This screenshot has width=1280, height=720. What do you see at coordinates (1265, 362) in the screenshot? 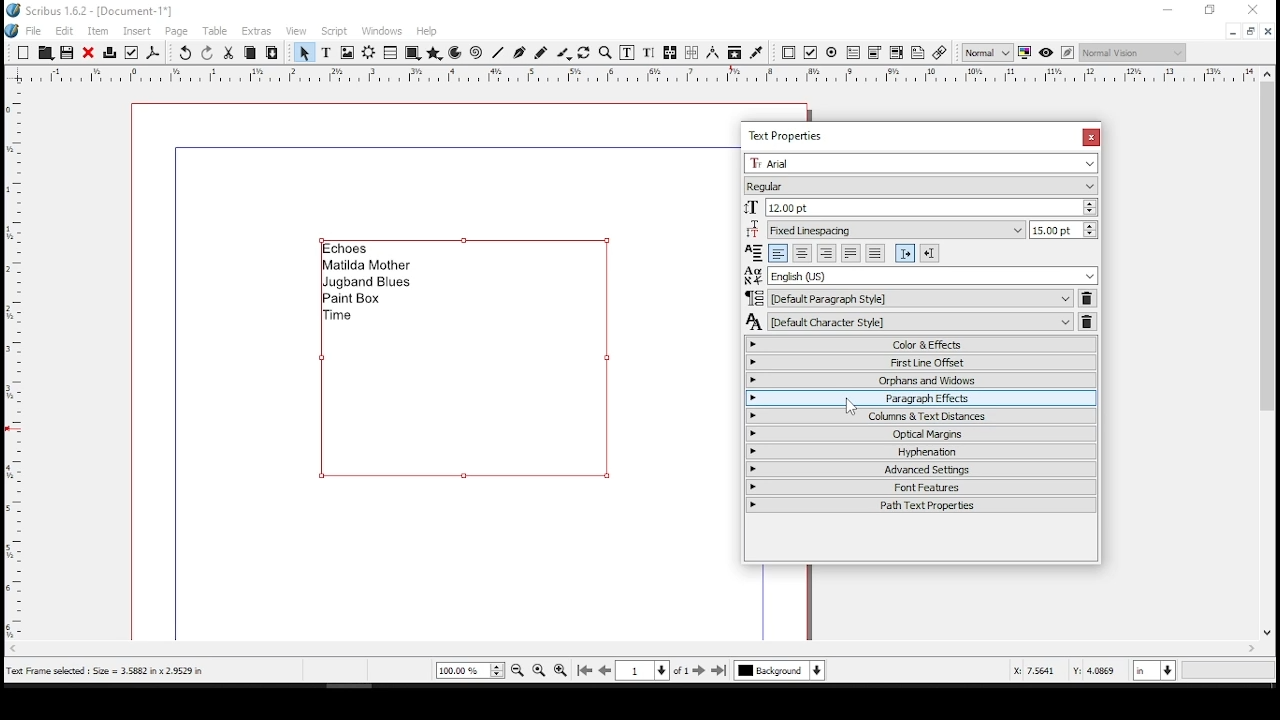
I see `scroll bar` at bounding box center [1265, 362].